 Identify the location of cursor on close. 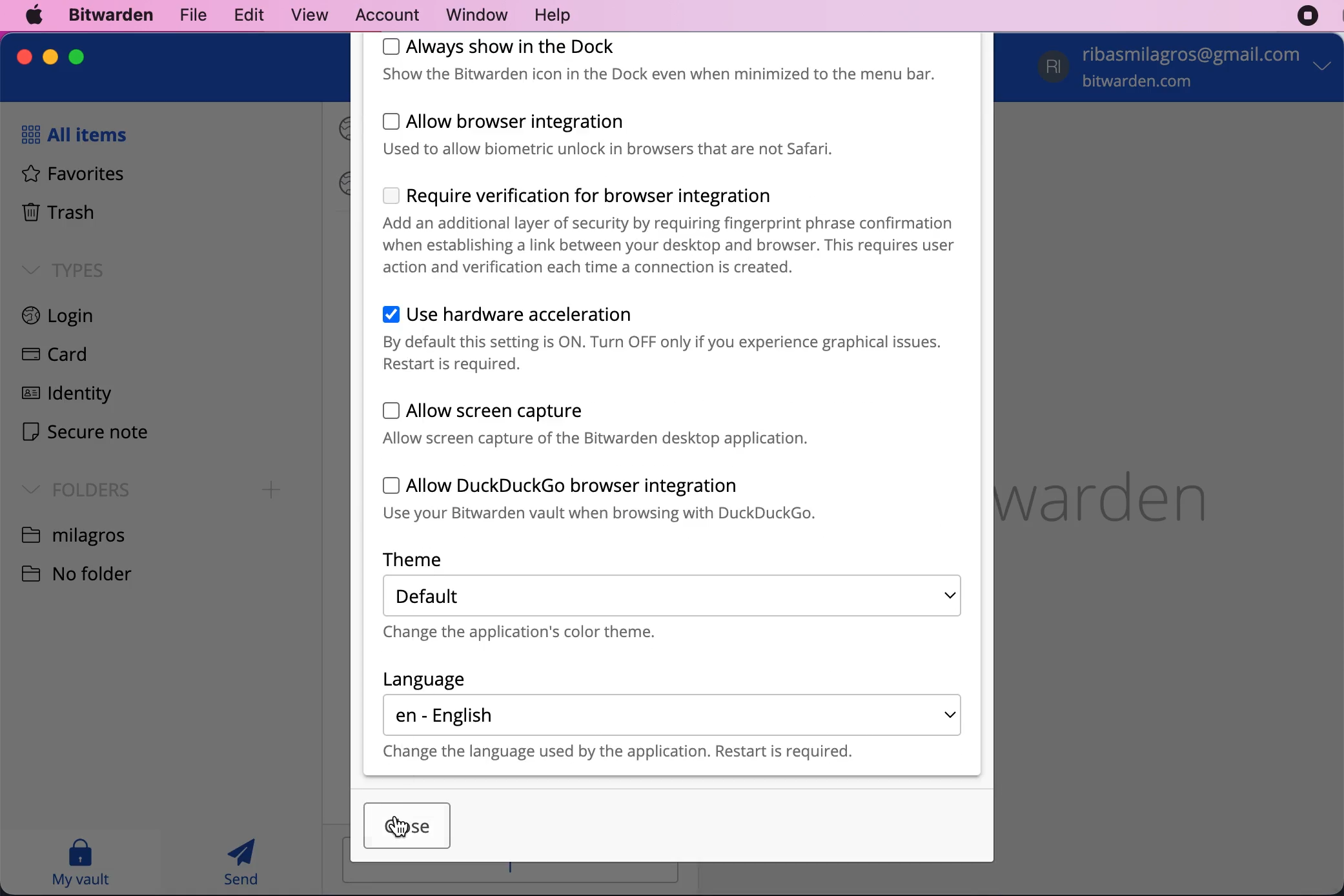
(407, 826).